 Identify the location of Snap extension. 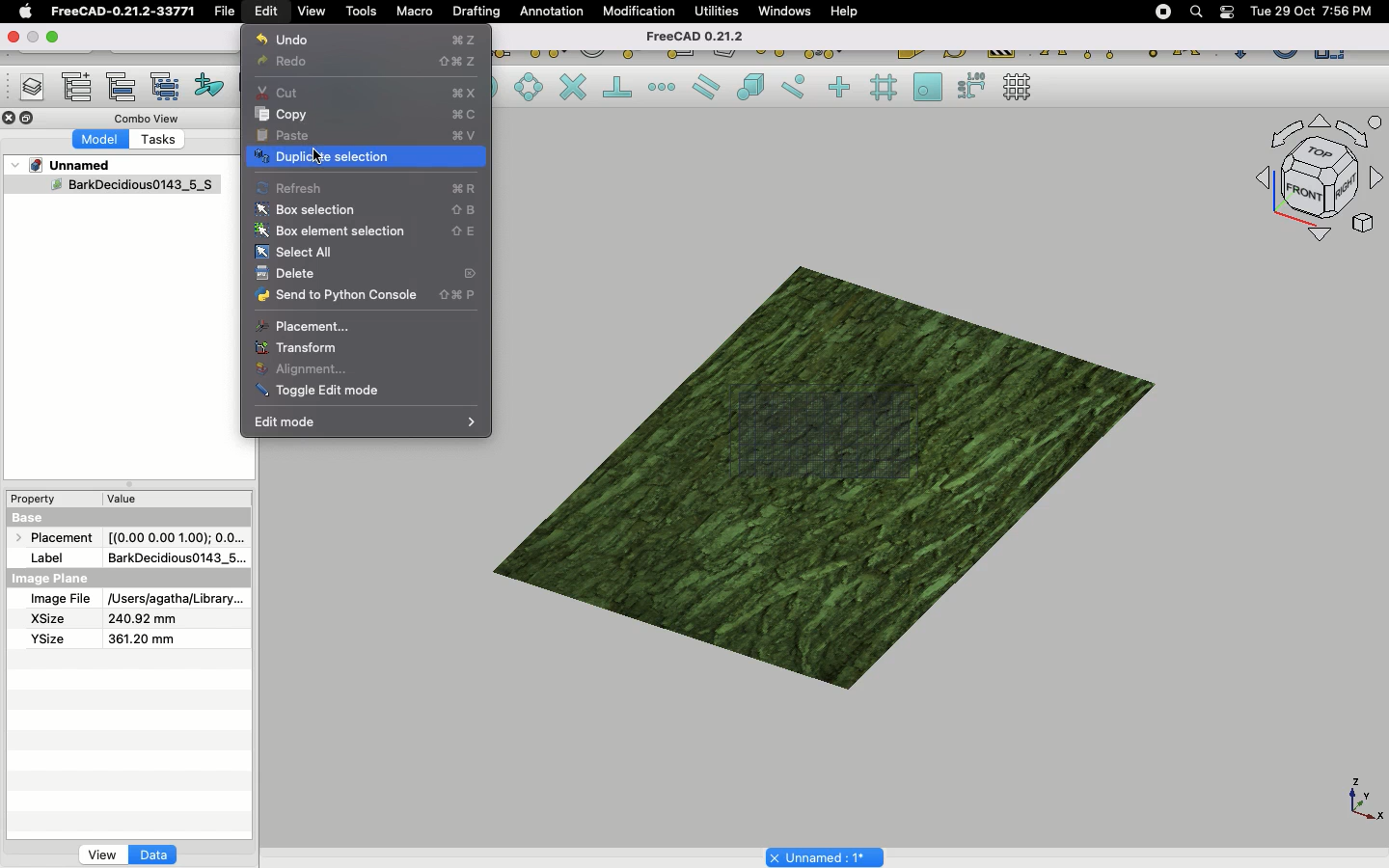
(664, 88).